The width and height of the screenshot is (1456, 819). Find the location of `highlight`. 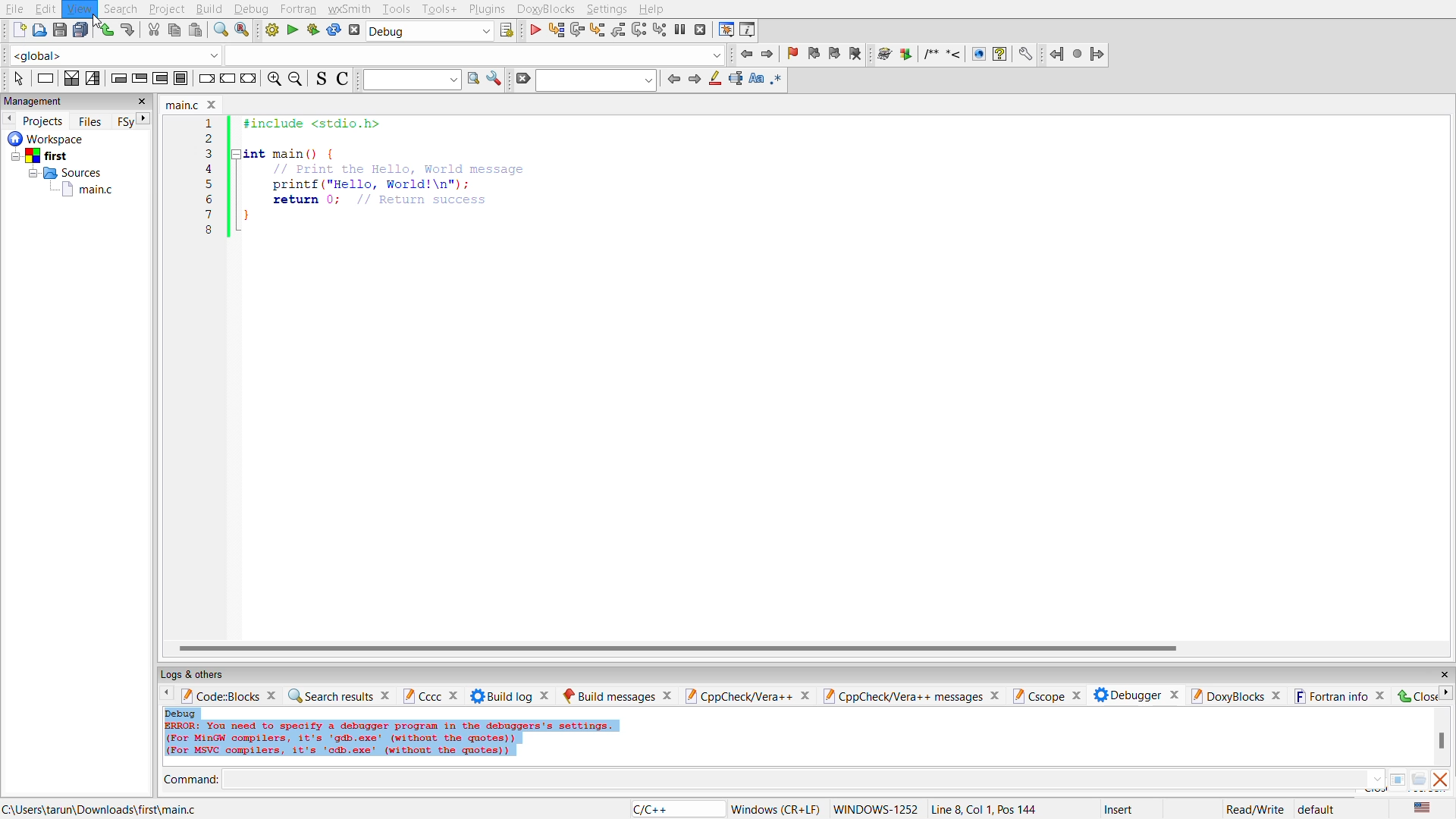

highlight is located at coordinates (717, 80).